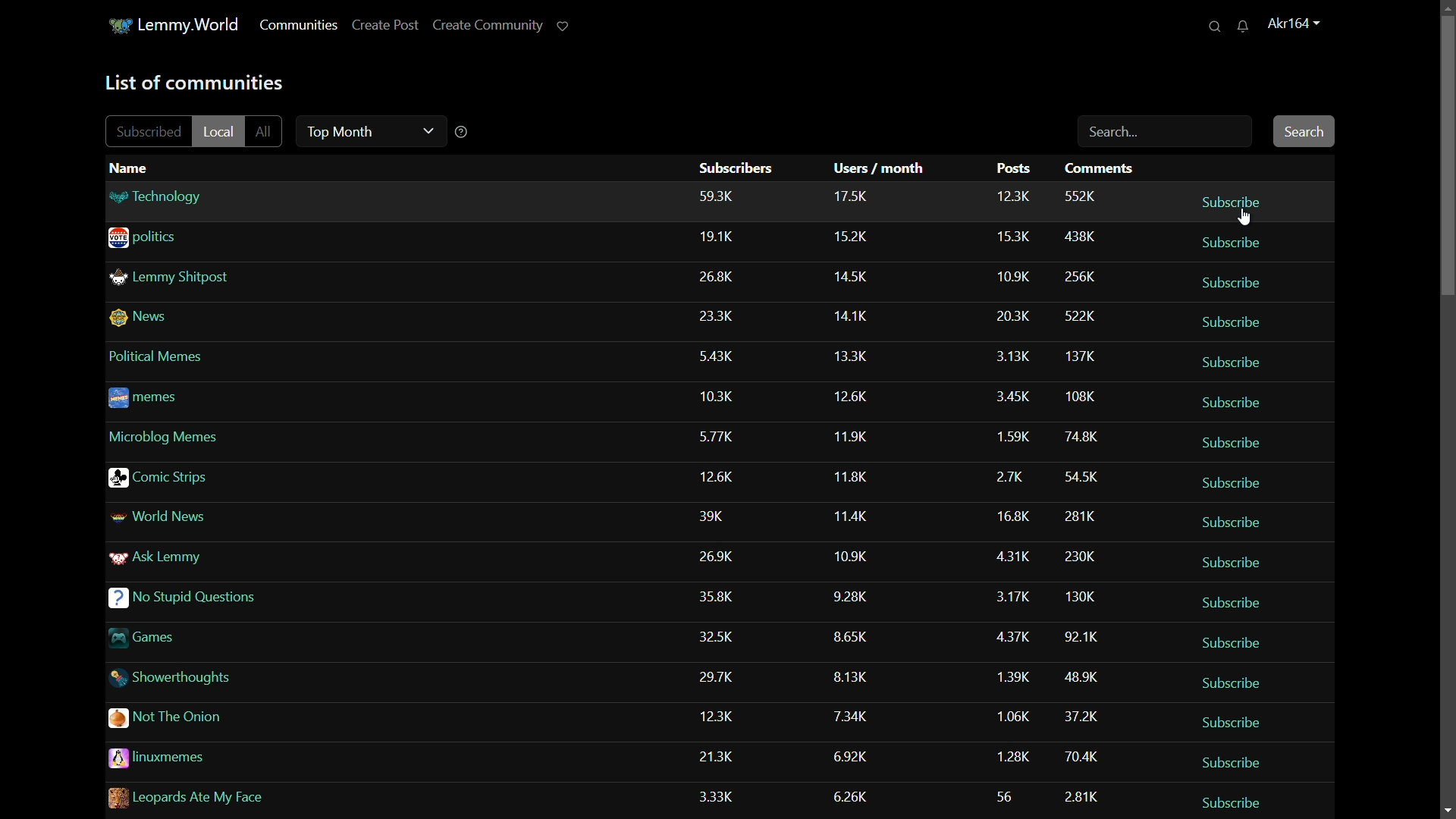 This screenshot has width=1456, height=819. What do you see at coordinates (1248, 27) in the screenshot?
I see `unread message` at bounding box center [1248, 27].